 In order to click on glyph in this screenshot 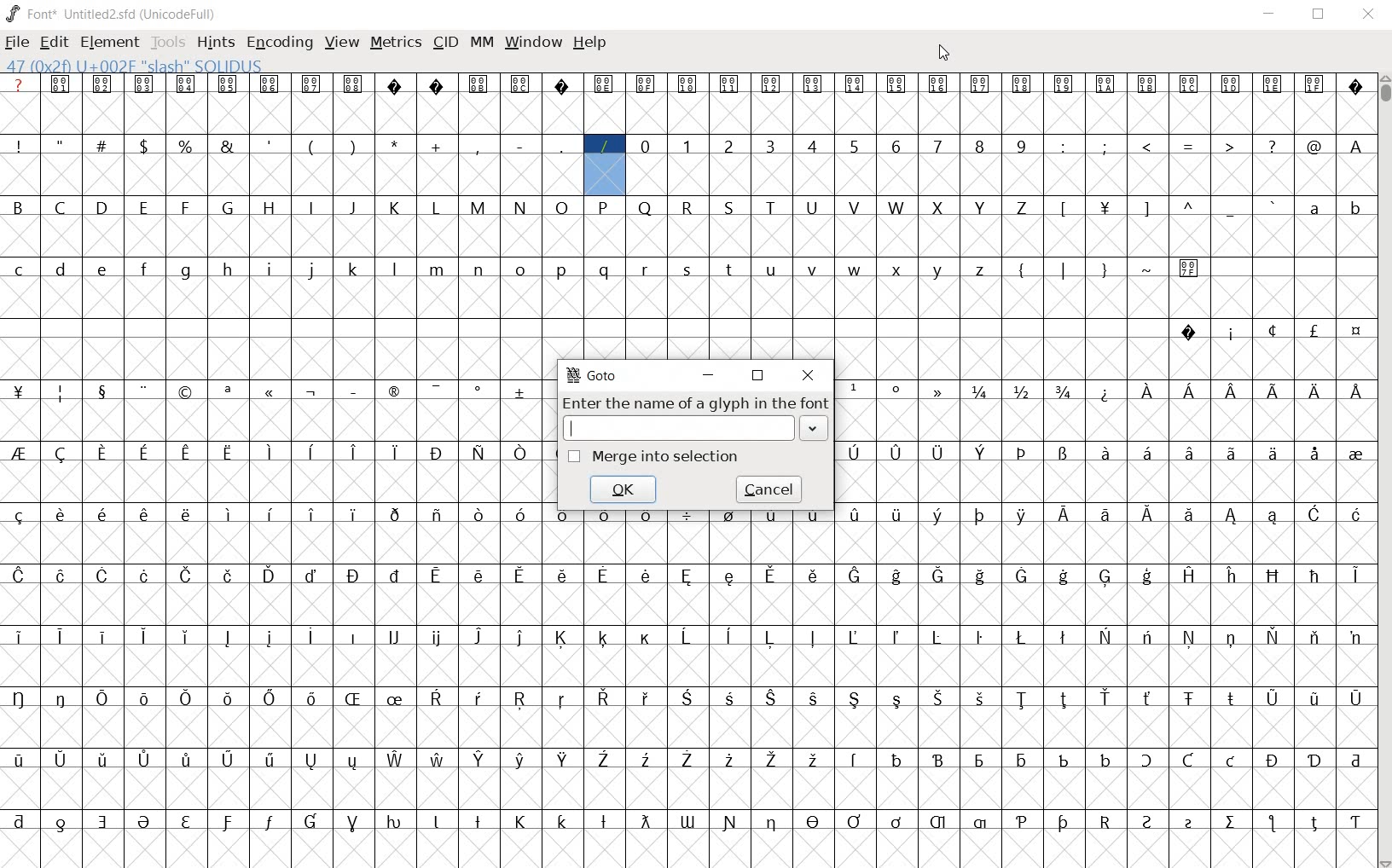, I will do `click(771, 85)`.